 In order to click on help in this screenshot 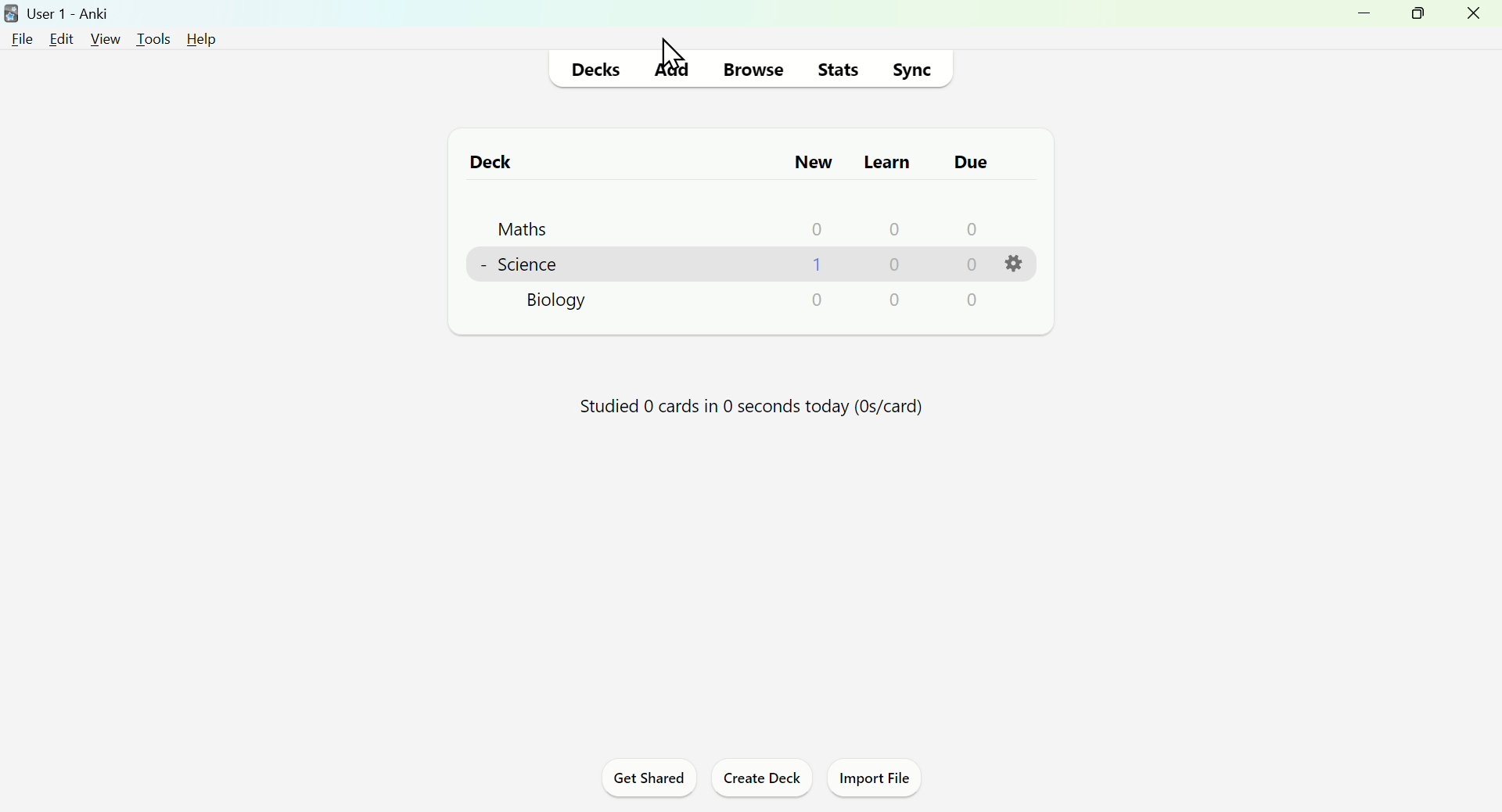, I will do `click(204, 41)`.